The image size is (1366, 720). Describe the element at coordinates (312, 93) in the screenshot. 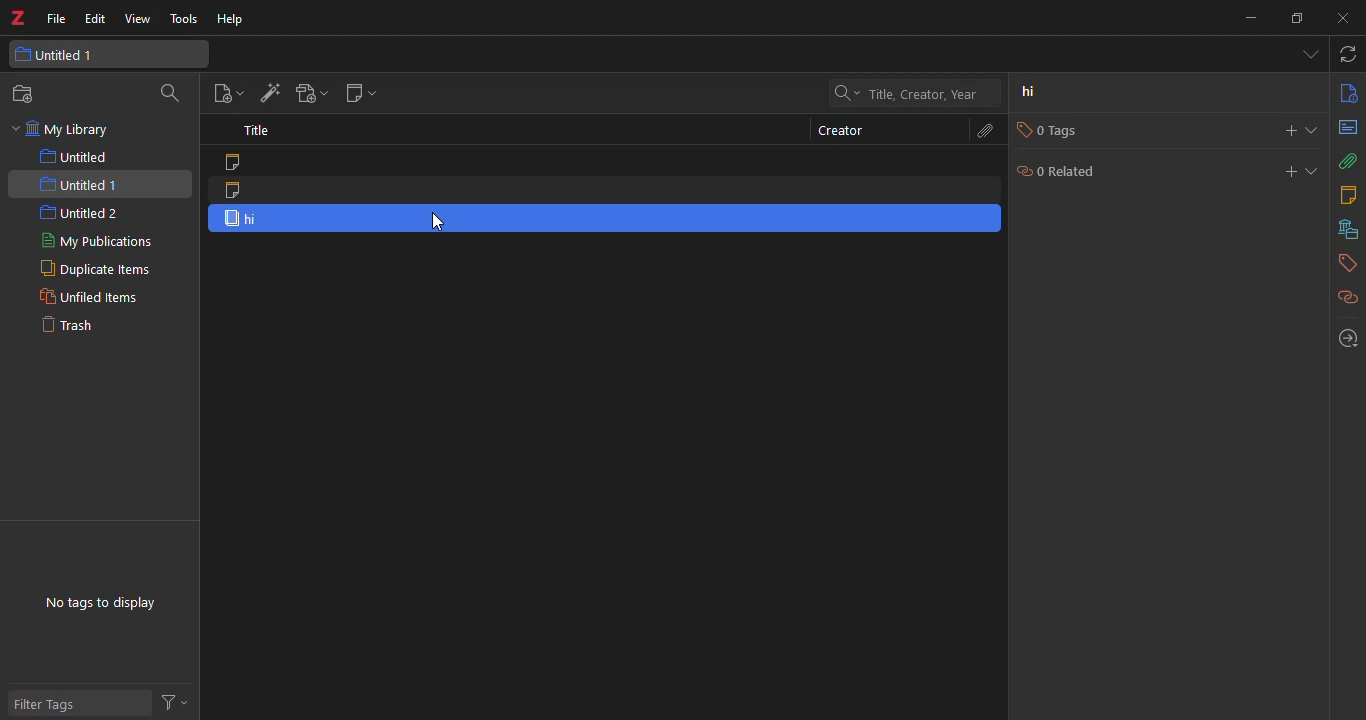

I see `add attach` at that location.